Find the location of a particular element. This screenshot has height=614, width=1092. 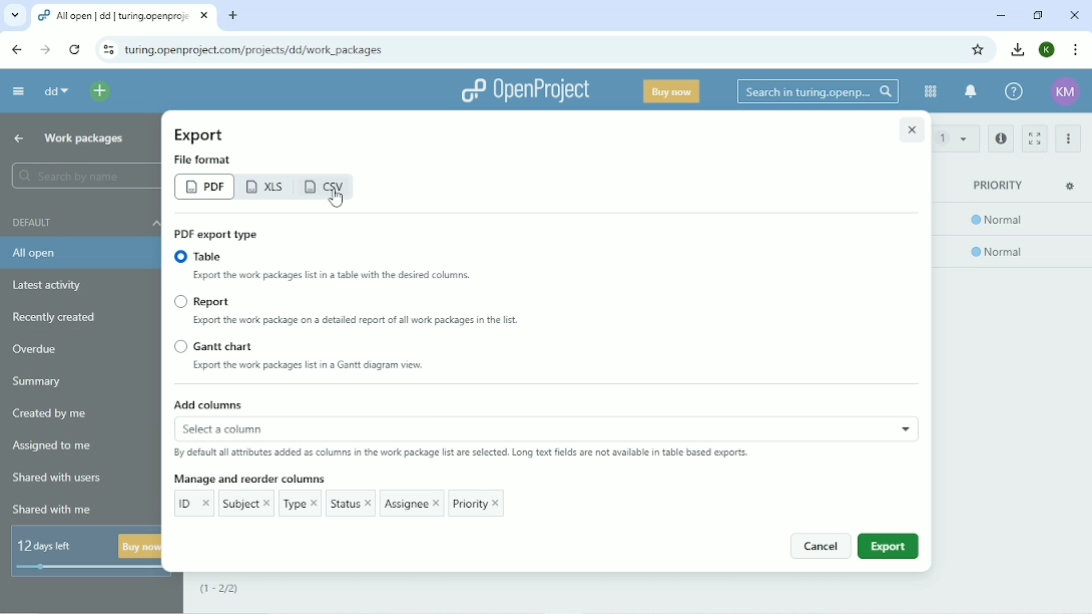

Modules is located at coordinates (929, 91).